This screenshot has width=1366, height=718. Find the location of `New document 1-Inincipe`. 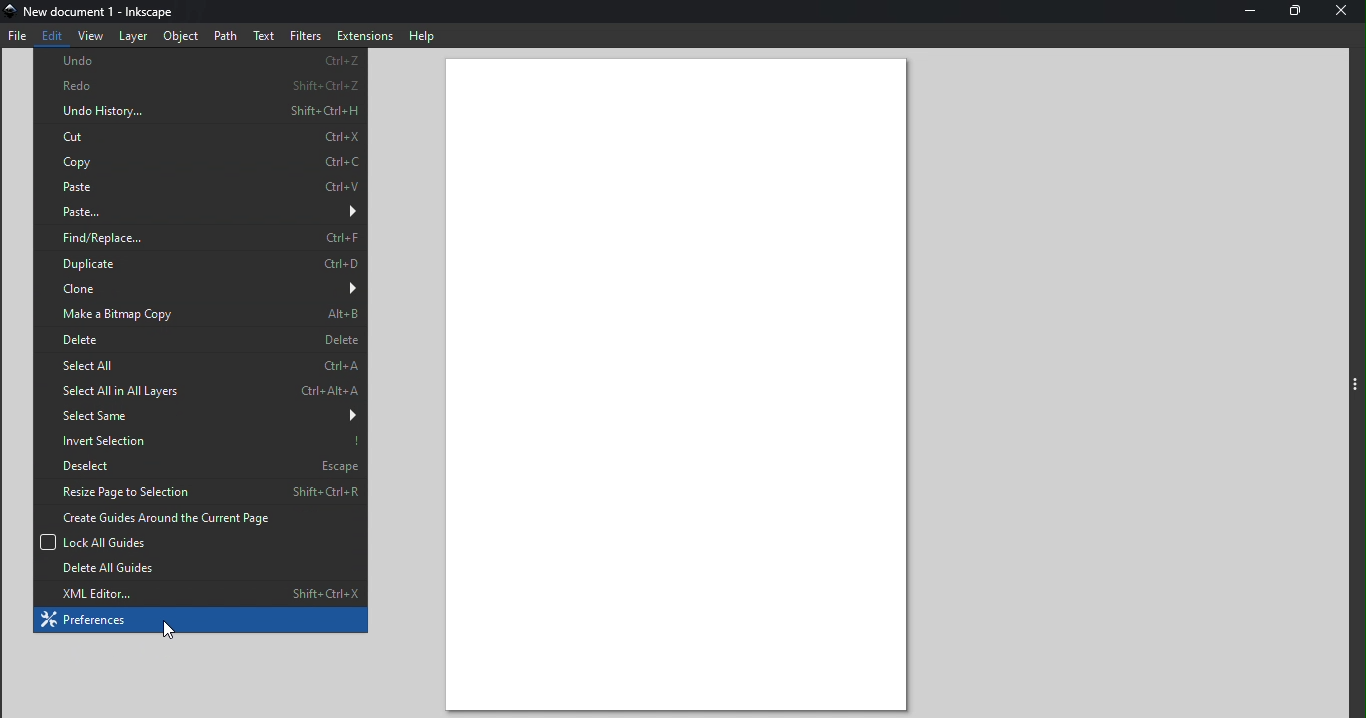

New document 1-Inincipe is located at coordinates (103, 12).